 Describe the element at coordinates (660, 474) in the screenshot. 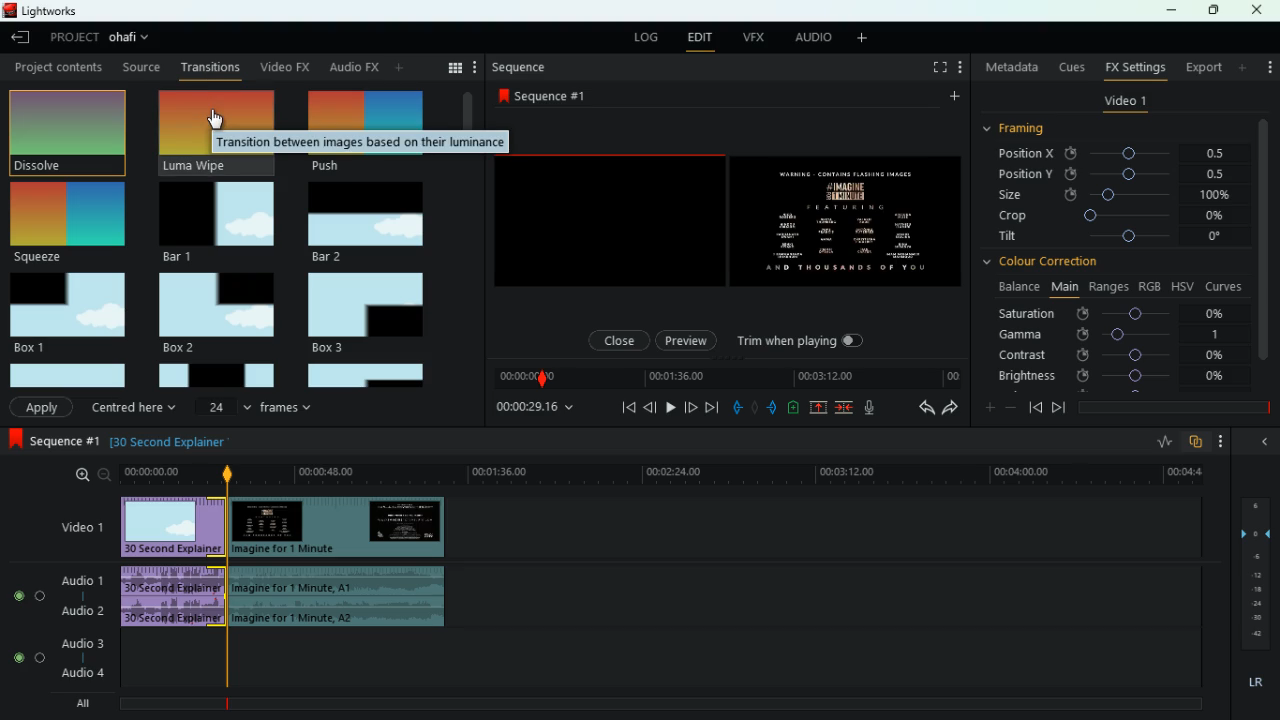

I see `time` at that location.